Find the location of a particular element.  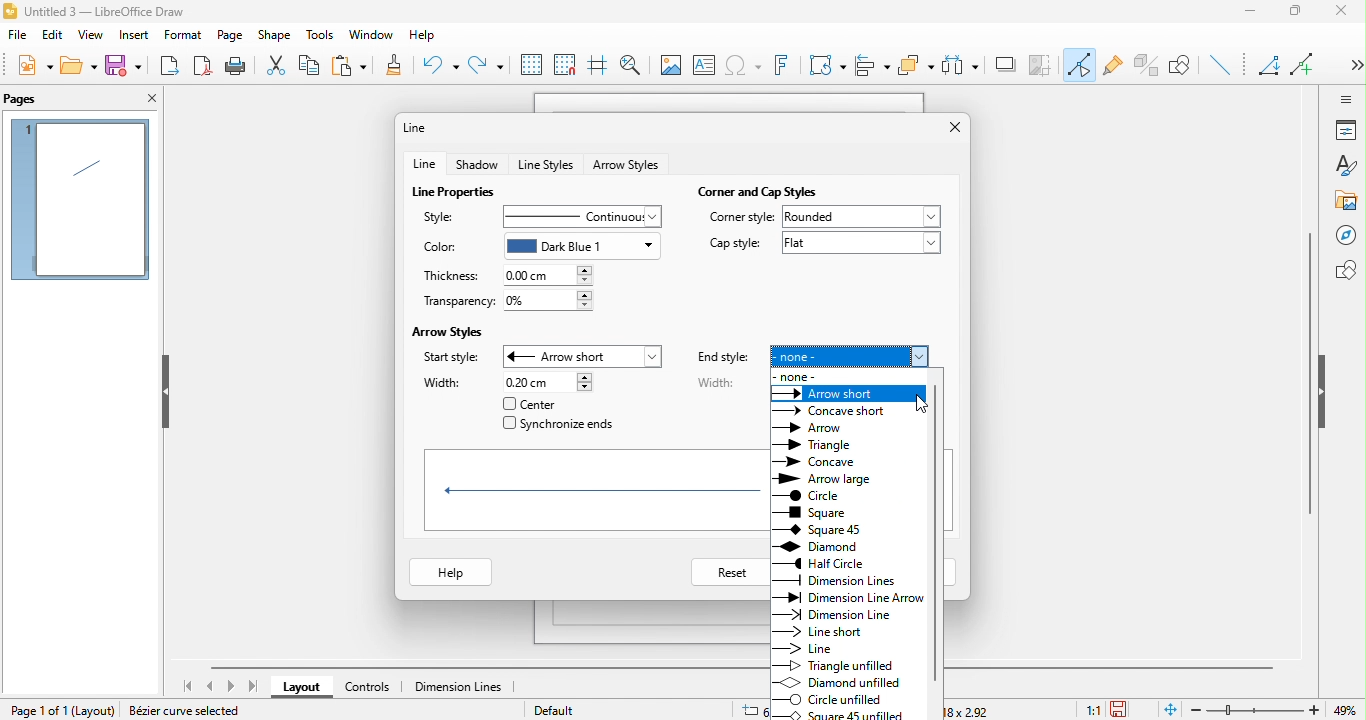

shadow is located at coordinates (1007, 65).